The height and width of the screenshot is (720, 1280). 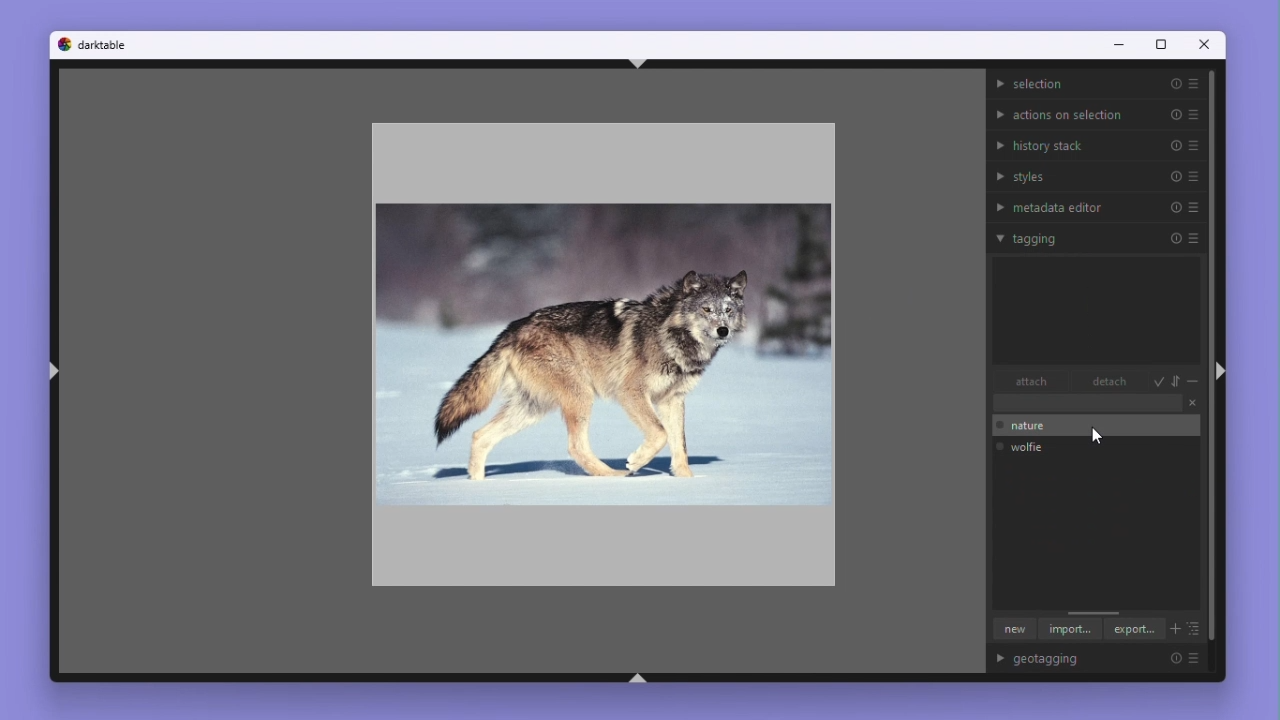 What do you see at coordinates (53, 373) in the screenshot?
I see `ctrl+shift+l` at bounding box center [53, 373].